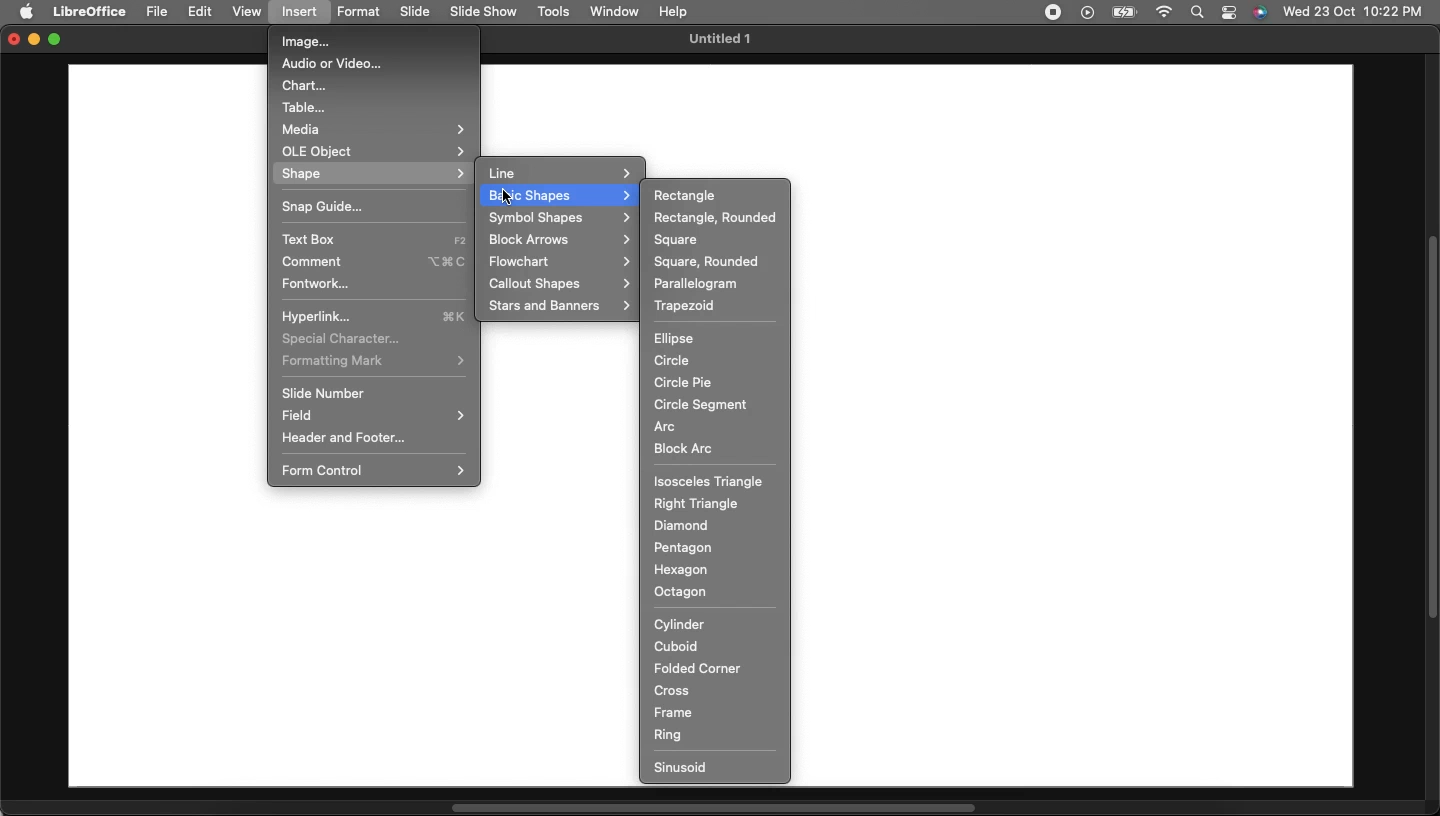  Describe the element at coordinates (561, 173) in the screenshot. I see `Line` at that location.